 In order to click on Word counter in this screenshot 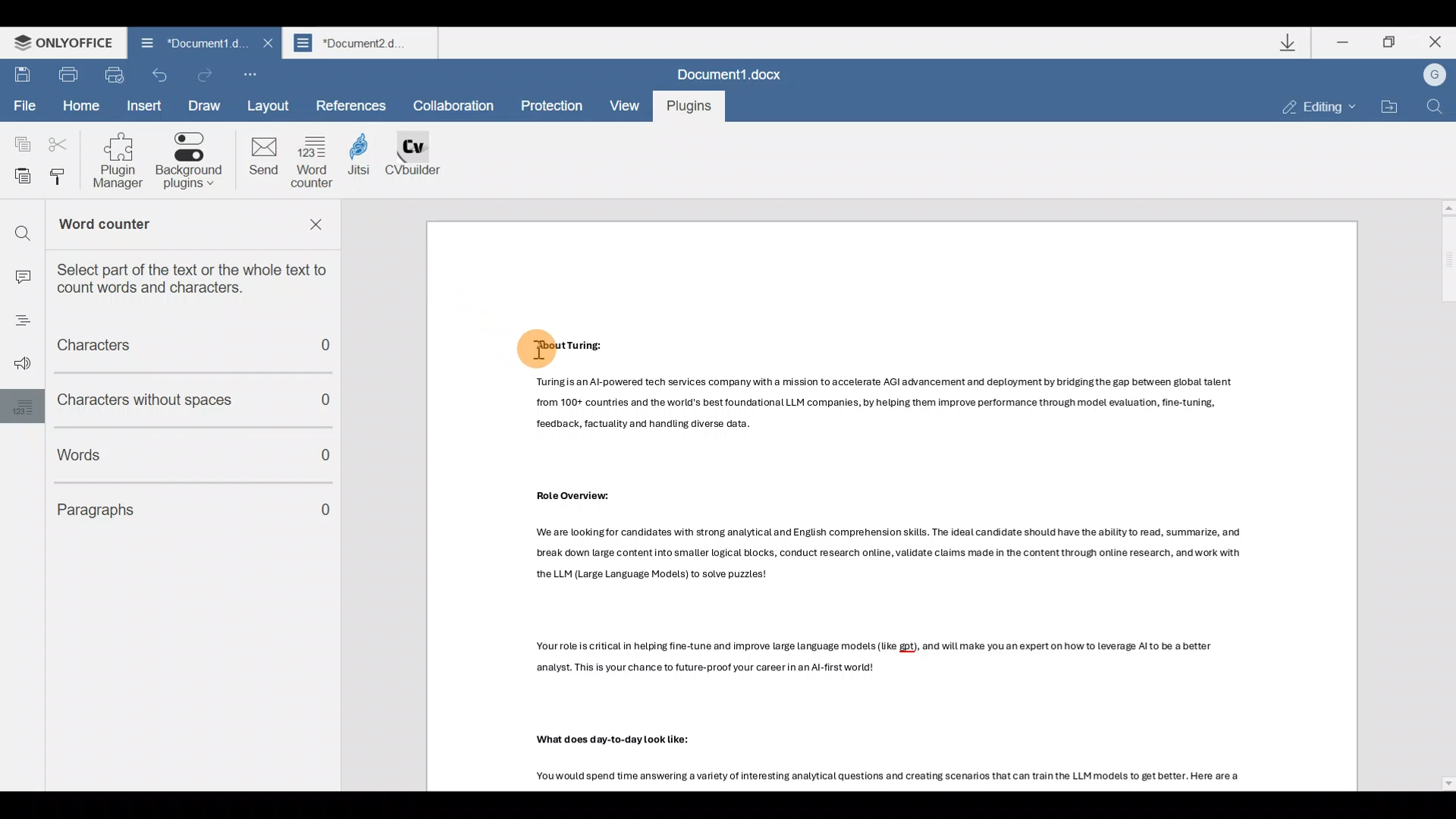, I will do `click(314, 162)`.